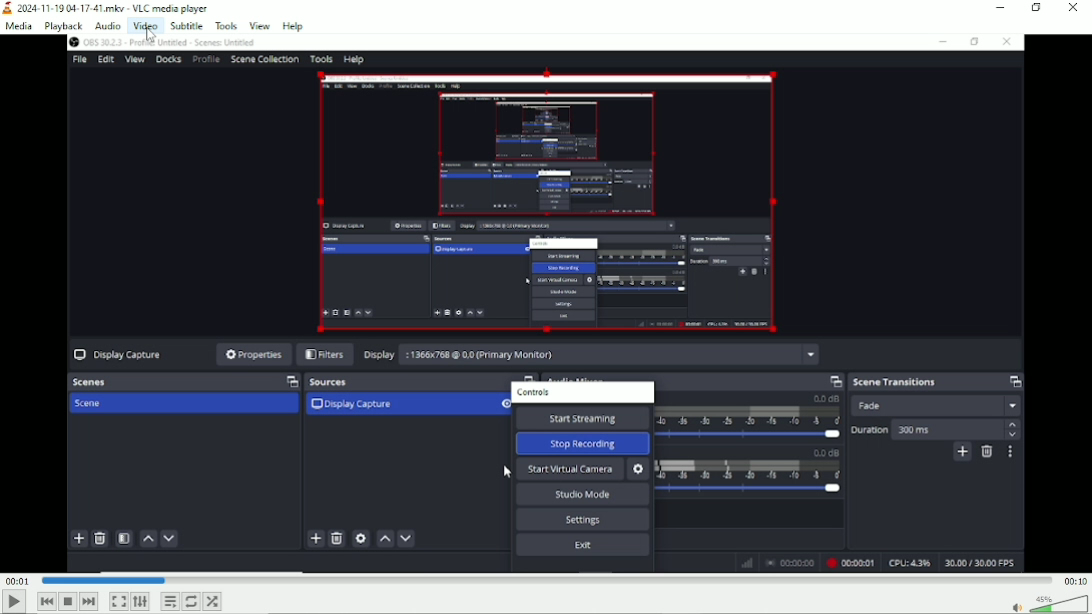 This screenshot has height=614, width=1092. What do you see at coordinates (260, 24) in the screenshot?
I see `View` at bounding box center [260, 24].